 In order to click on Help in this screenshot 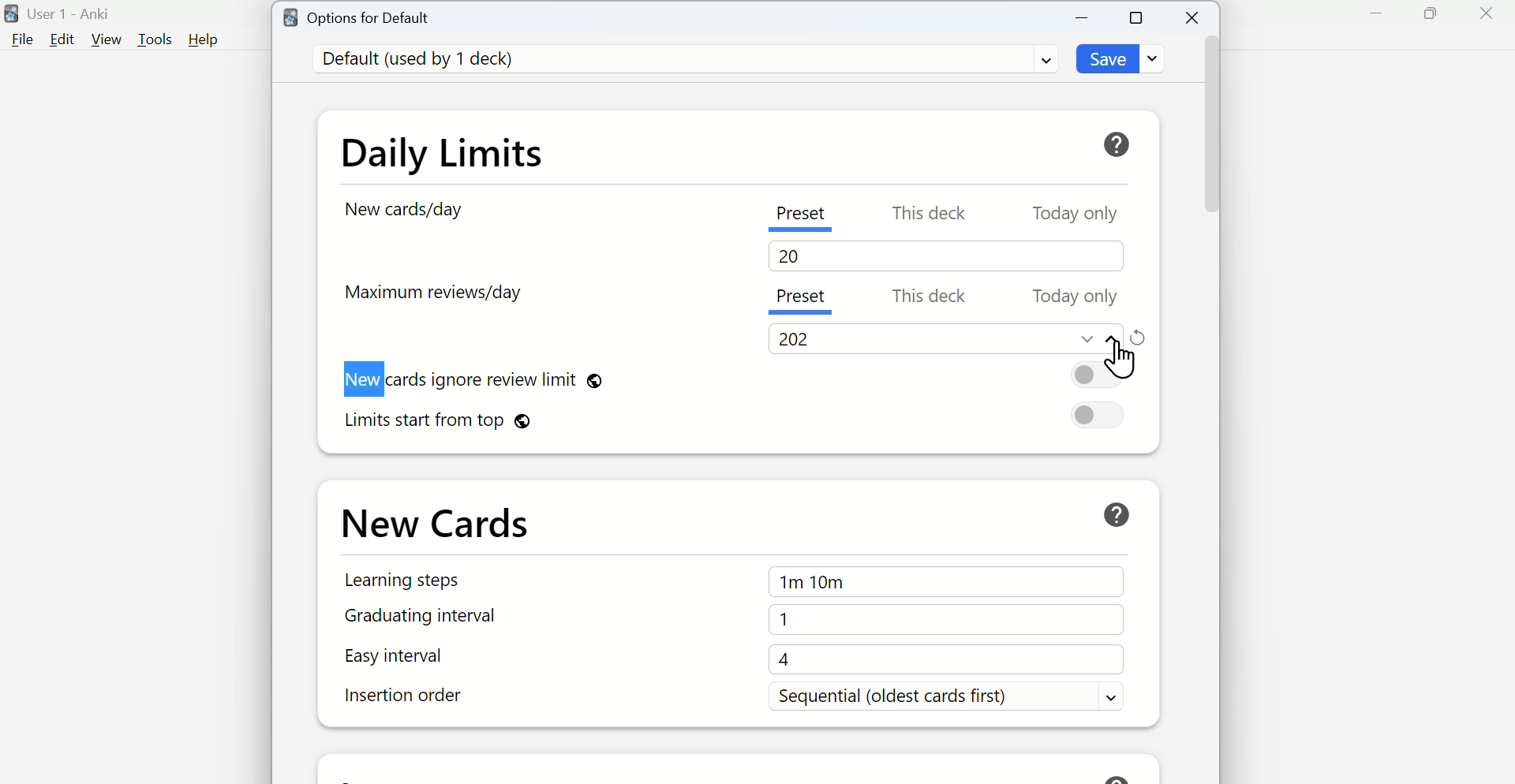, I will do `click(1118, 144)`.